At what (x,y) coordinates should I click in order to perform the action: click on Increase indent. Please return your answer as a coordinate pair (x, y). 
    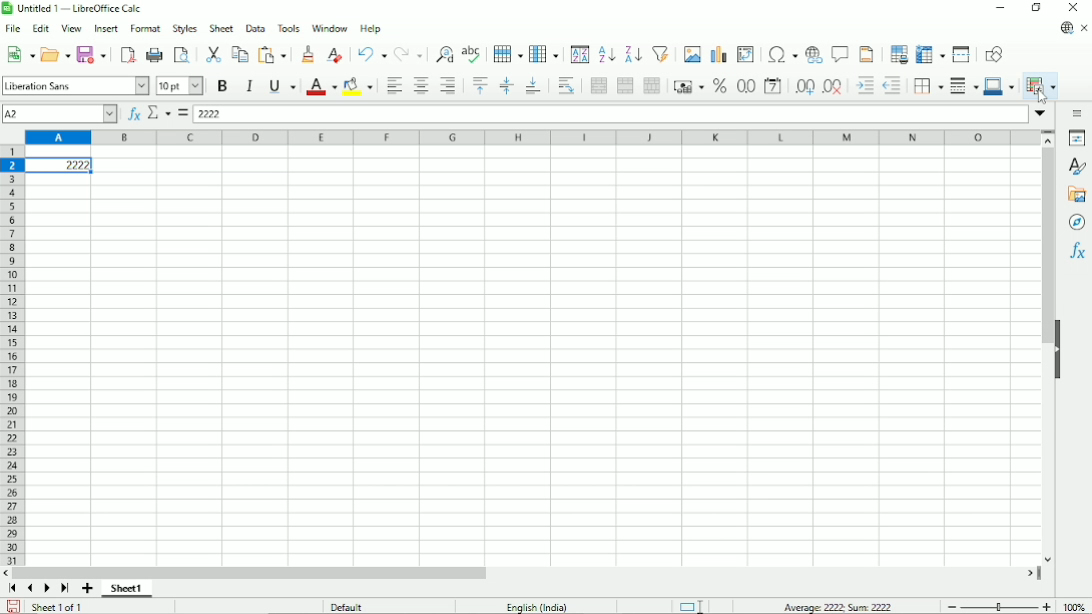
    Looking at the image, I should click on (864, 86).